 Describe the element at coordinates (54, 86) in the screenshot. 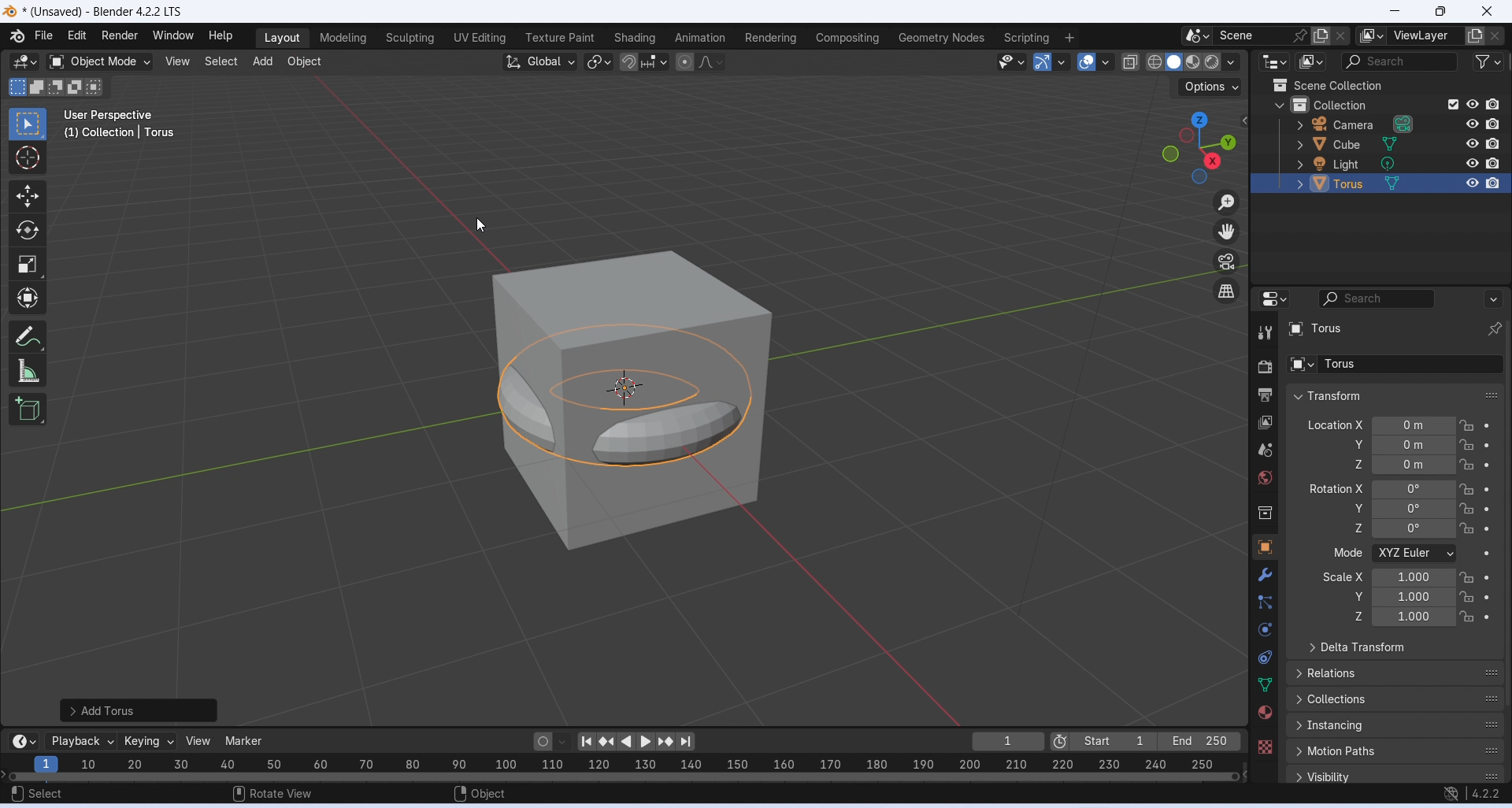

I see `Modes` at that location.